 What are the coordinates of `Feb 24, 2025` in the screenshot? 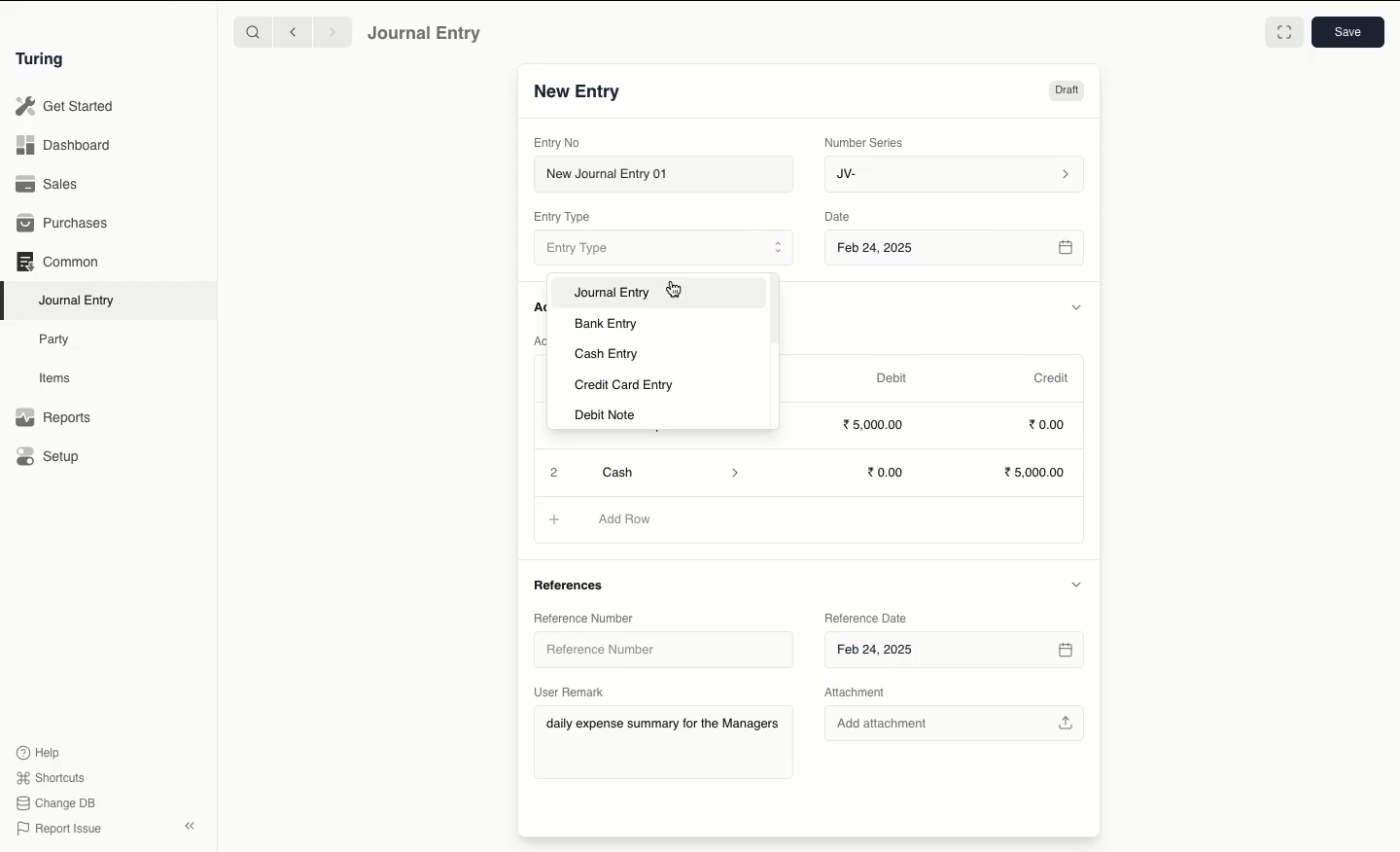 It's located at (957, 250).